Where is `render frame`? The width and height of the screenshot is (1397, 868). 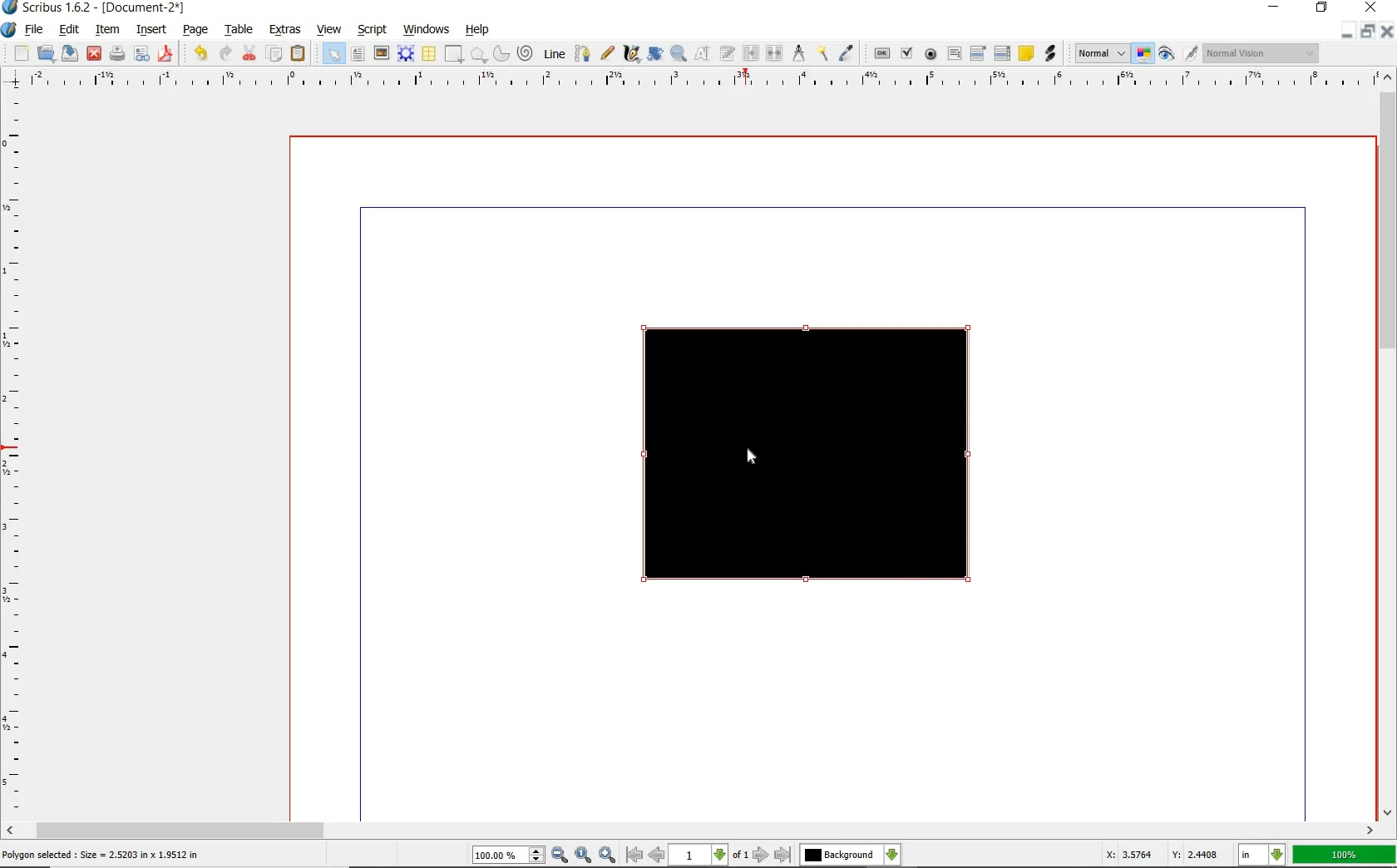
render frame is located at coordinates (404, 53).